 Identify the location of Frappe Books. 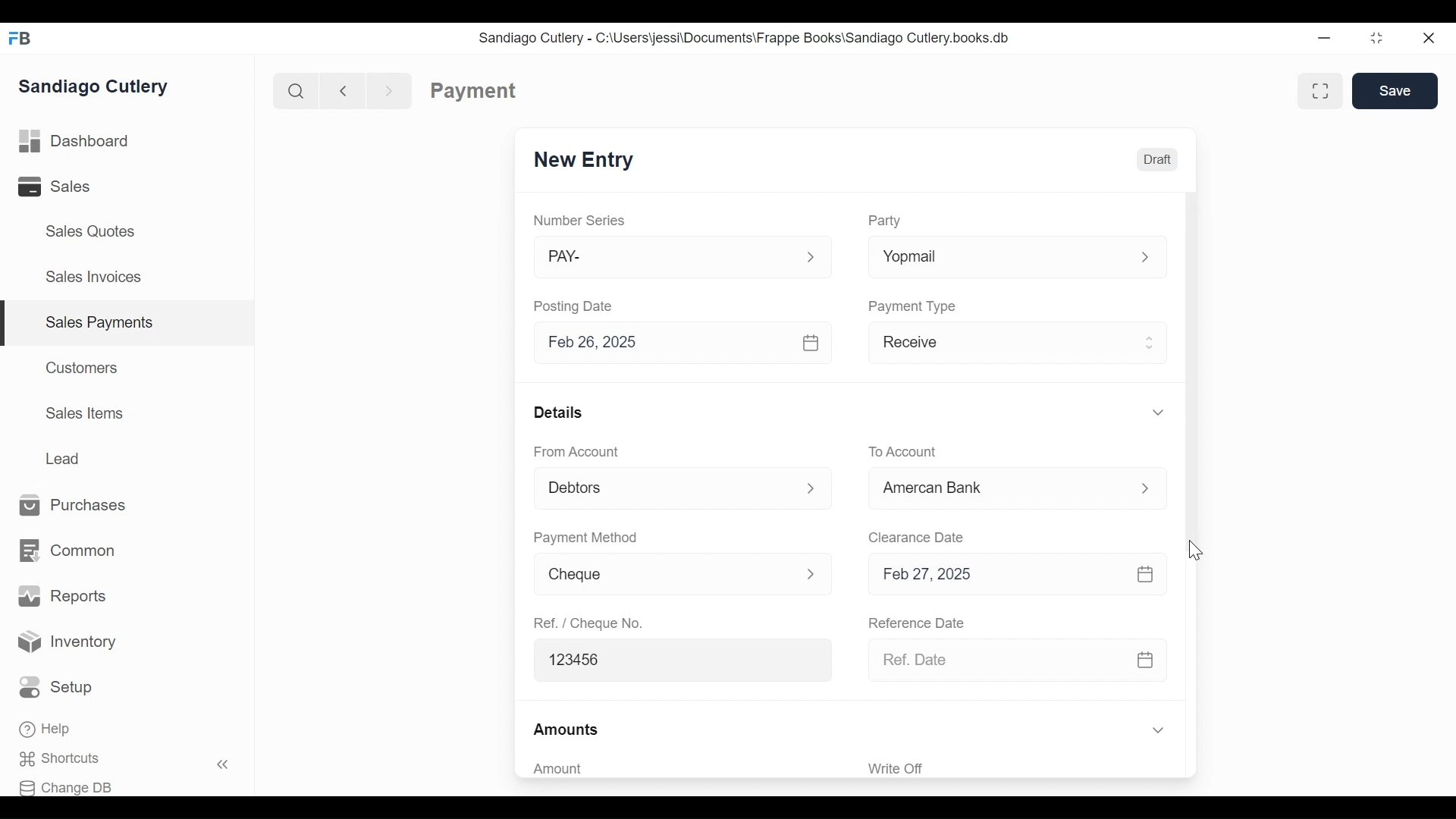
(21, 38).